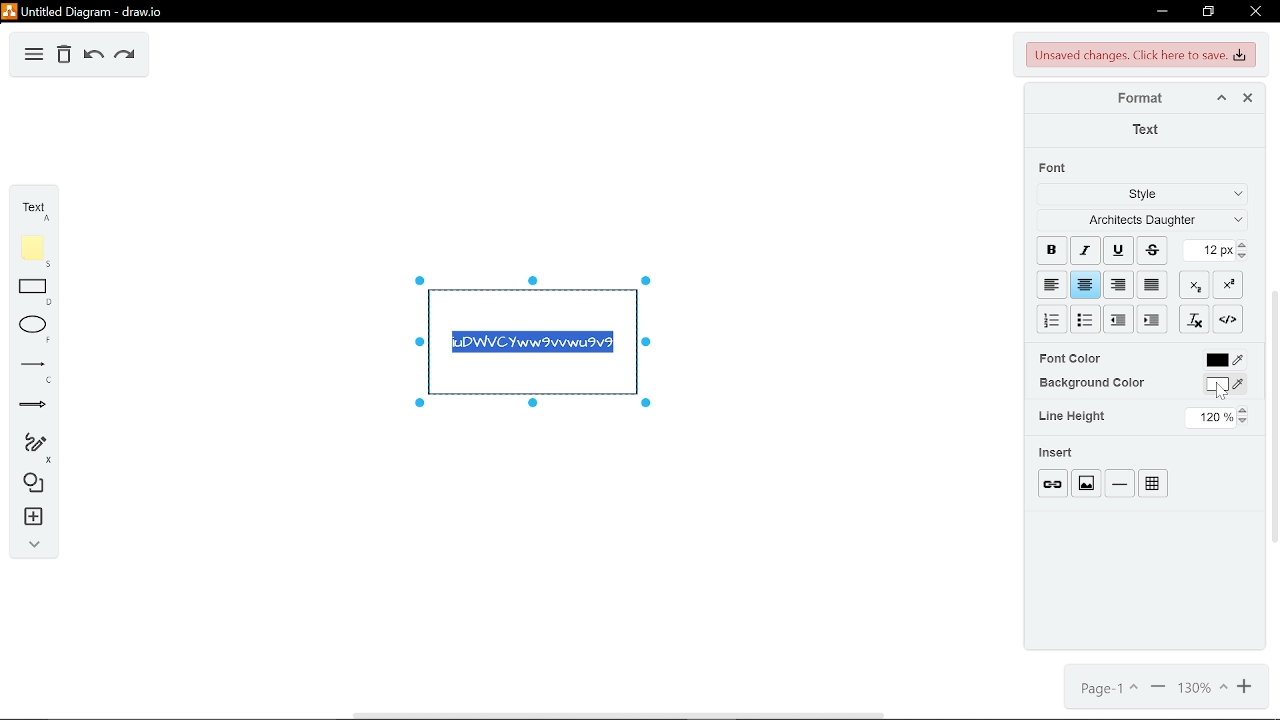 The height and width of the screenshot is (720, 1280). Describe the element at coordinates (1152, 320) in the screenshot. I see `decrease indent` at that location.